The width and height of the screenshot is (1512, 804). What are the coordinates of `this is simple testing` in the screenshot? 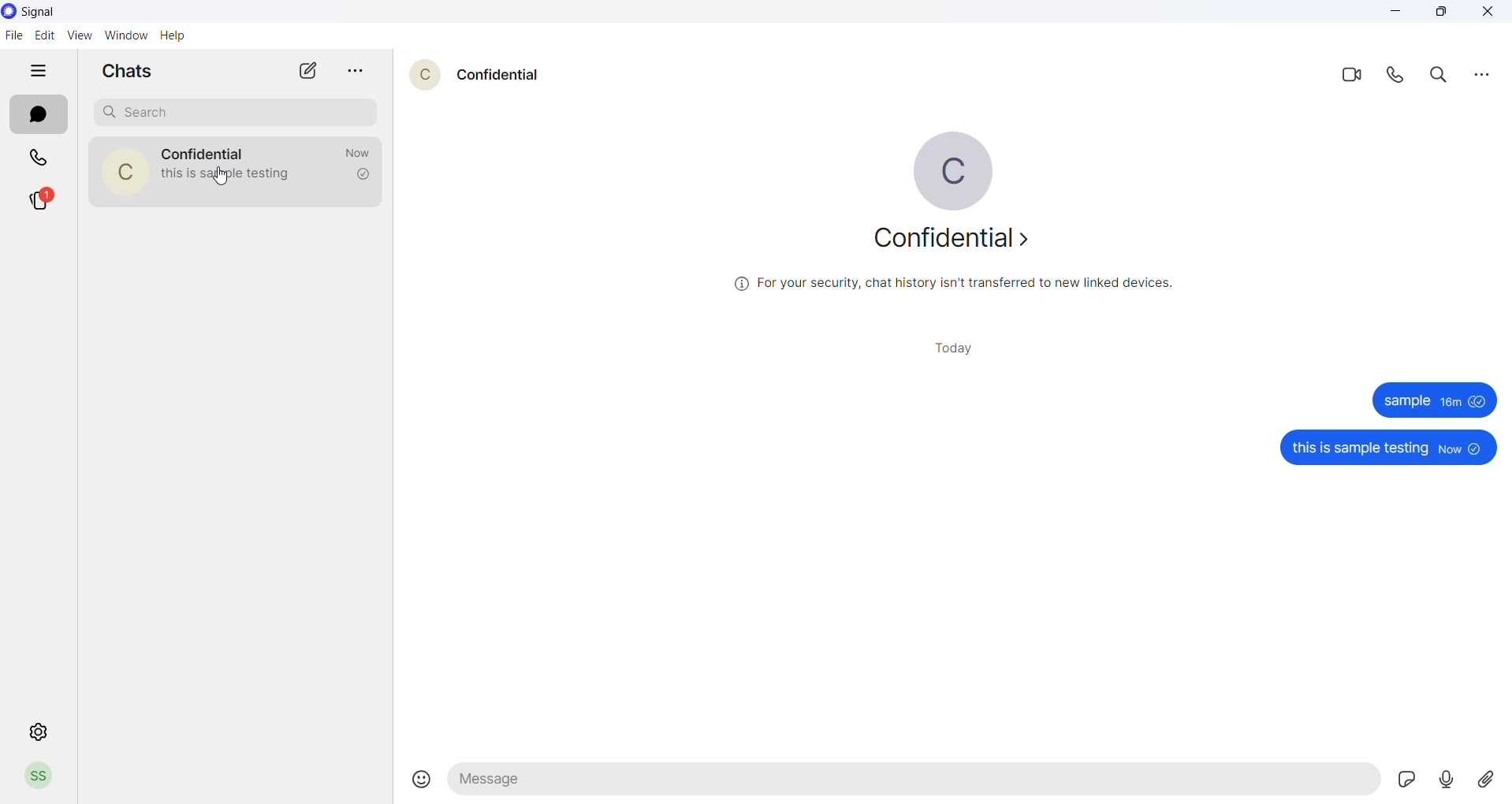 It's located at (235, 174).